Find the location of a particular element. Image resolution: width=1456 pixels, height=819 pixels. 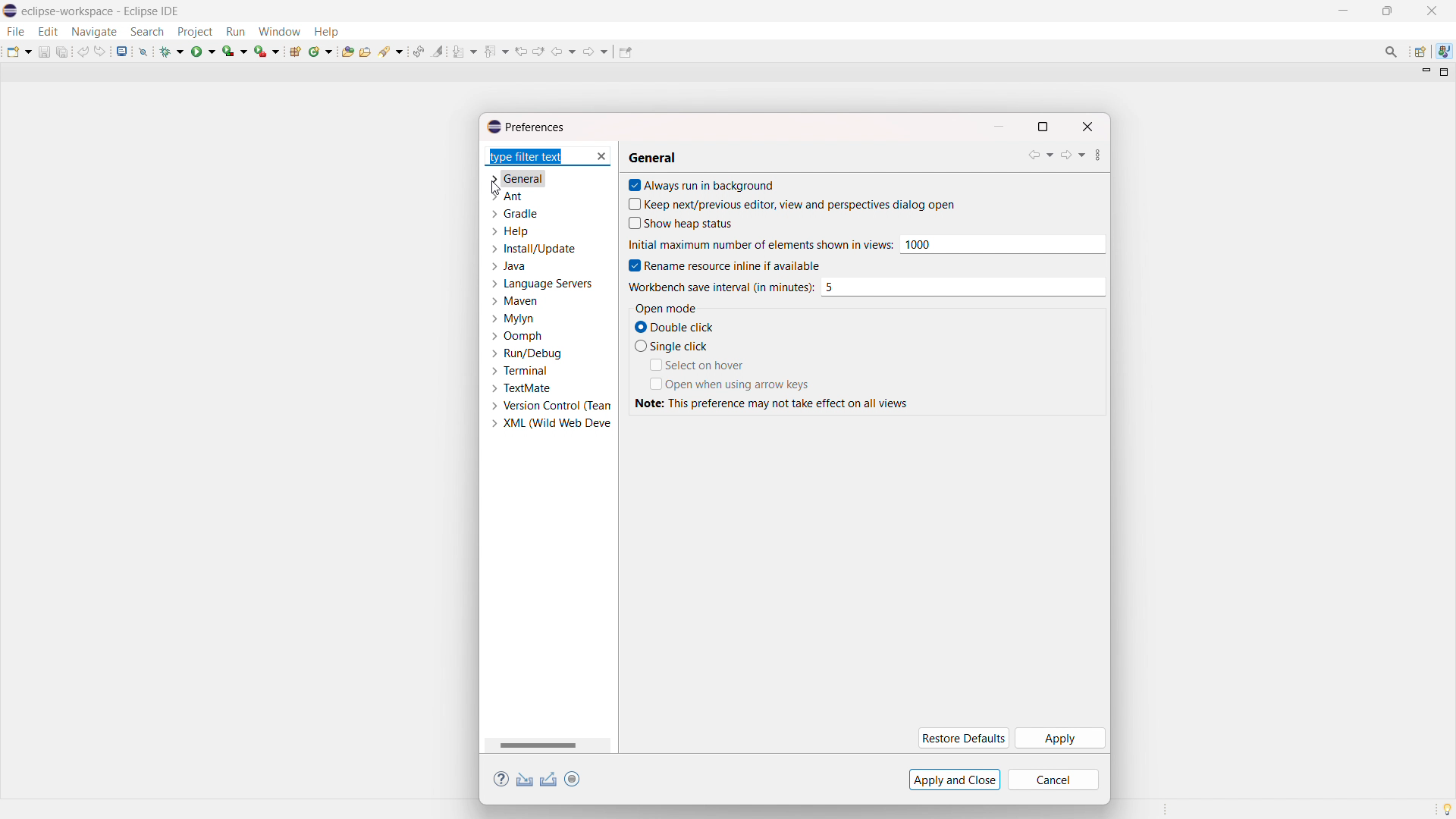

preferences dialogbox is located at coordinates (525, 127).